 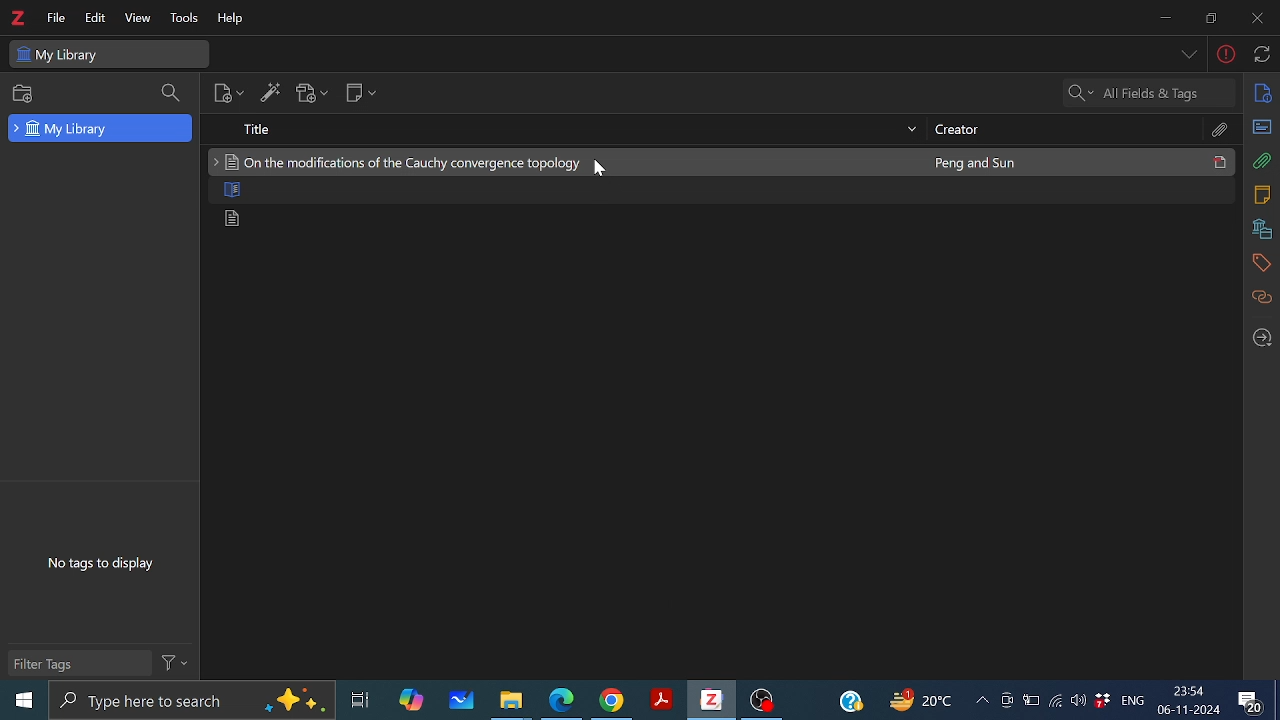 I want to click on Bookark, so click(x=1262, y=264).